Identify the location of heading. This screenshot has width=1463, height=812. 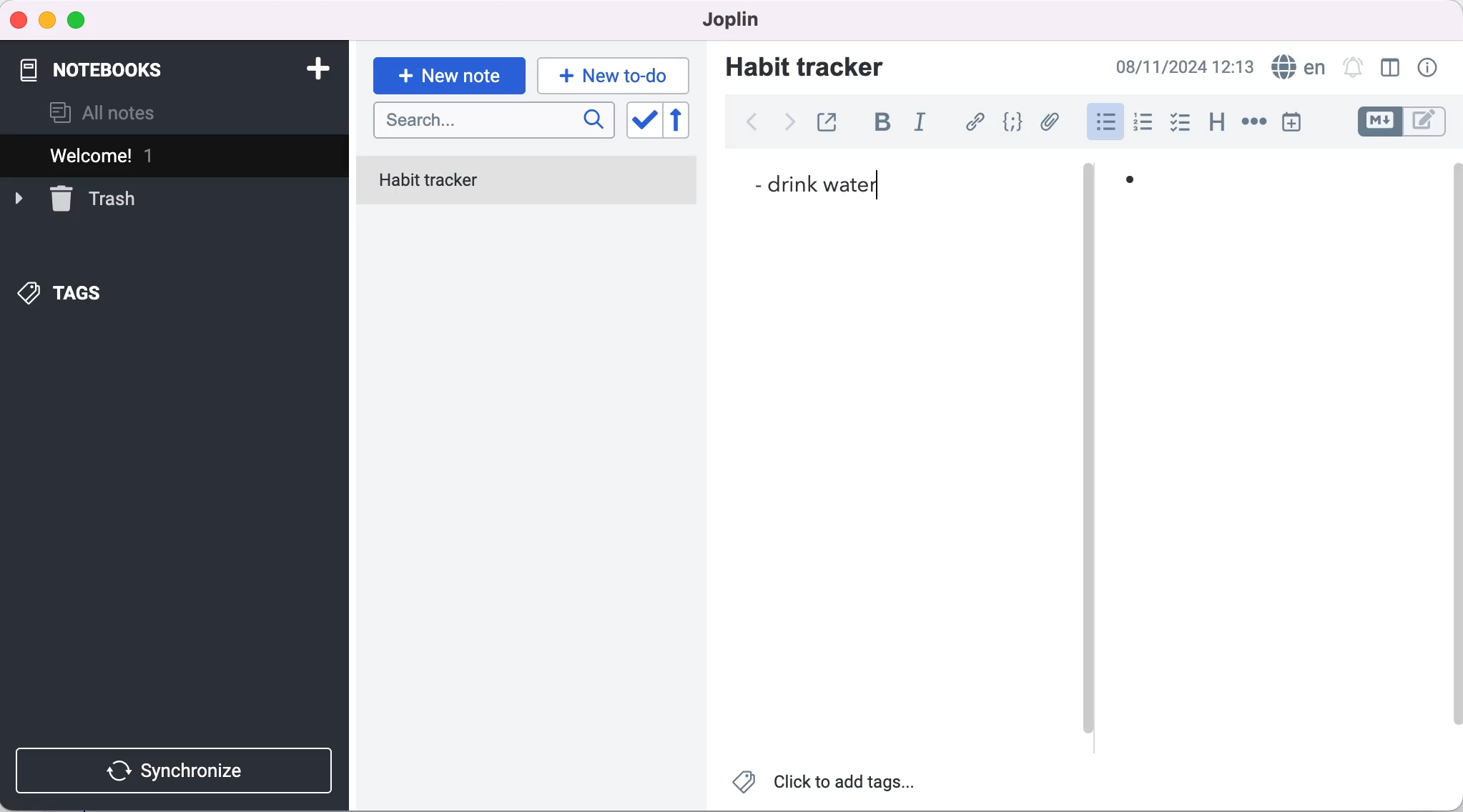
(1218, 123).